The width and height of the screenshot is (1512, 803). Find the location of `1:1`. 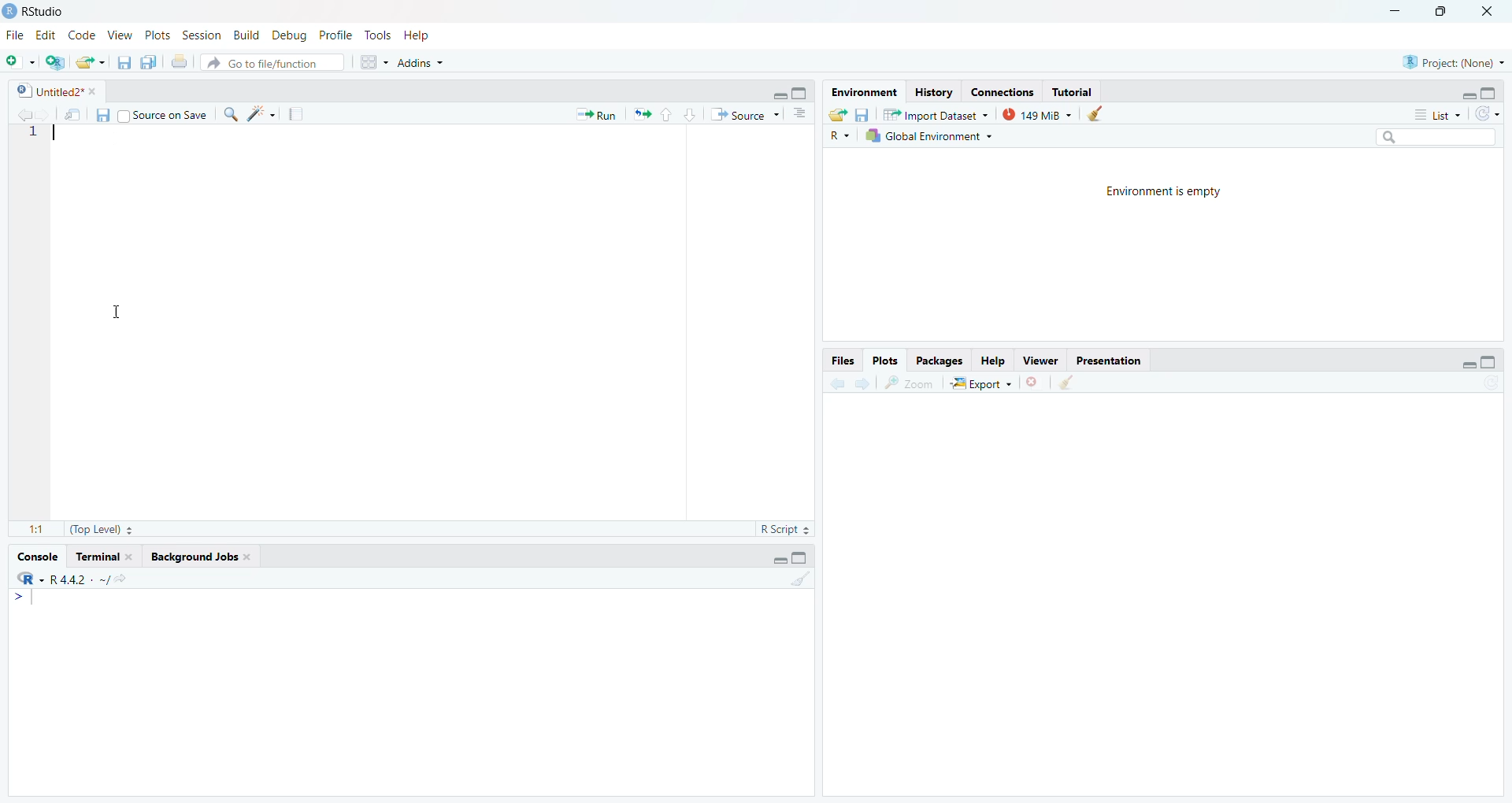

1:1 is located at coordinates (28, 526).